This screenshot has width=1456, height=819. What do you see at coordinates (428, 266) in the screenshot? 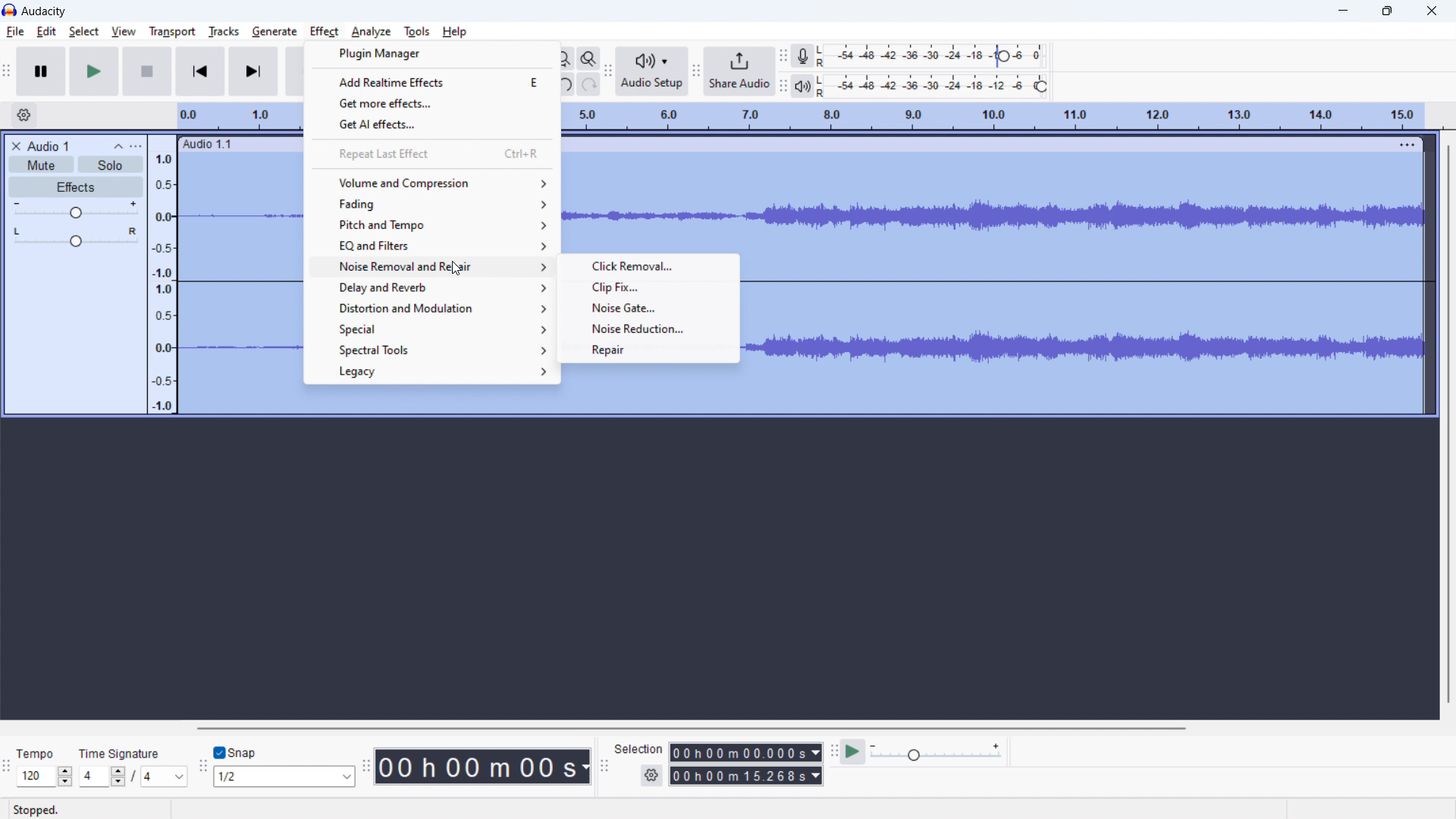
I see `noise removal and repair` at bounding box center [428, 266].